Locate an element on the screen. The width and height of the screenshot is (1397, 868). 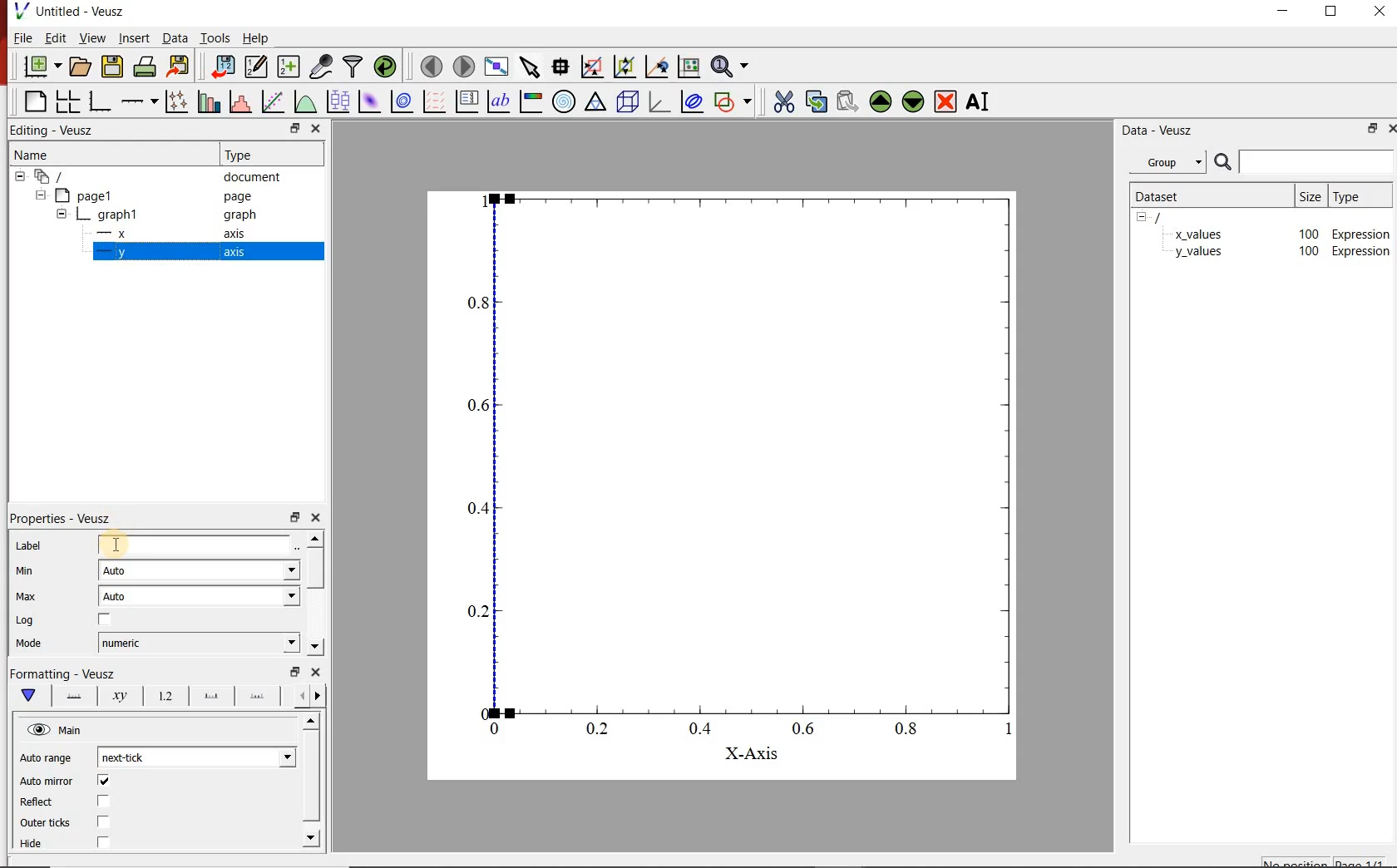
search is located at coordinates (1221, 162).